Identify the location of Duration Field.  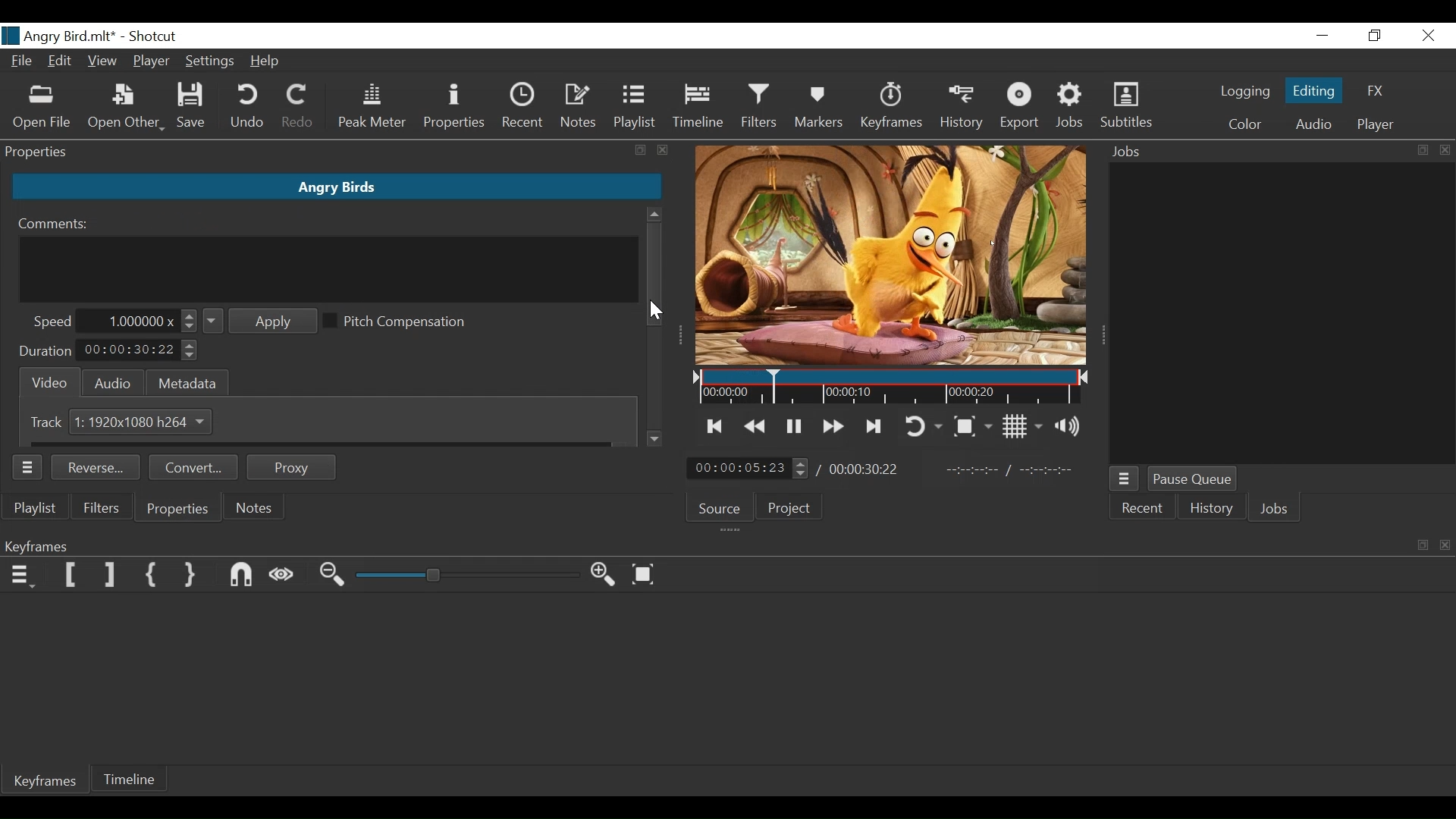
(140, 348).